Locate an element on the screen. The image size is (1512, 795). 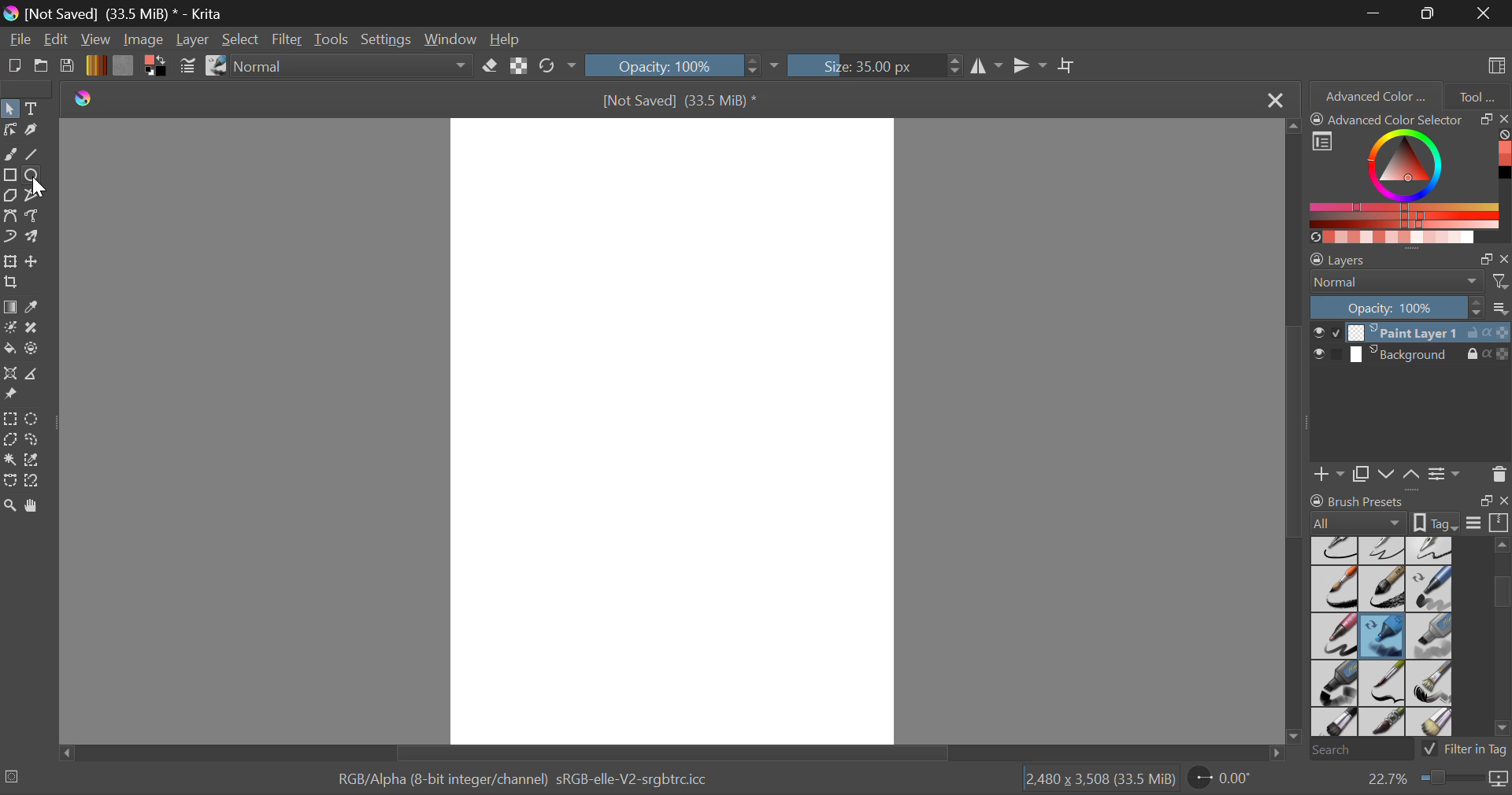
Bristles-1 Details is located at coordinates (1383, 682).